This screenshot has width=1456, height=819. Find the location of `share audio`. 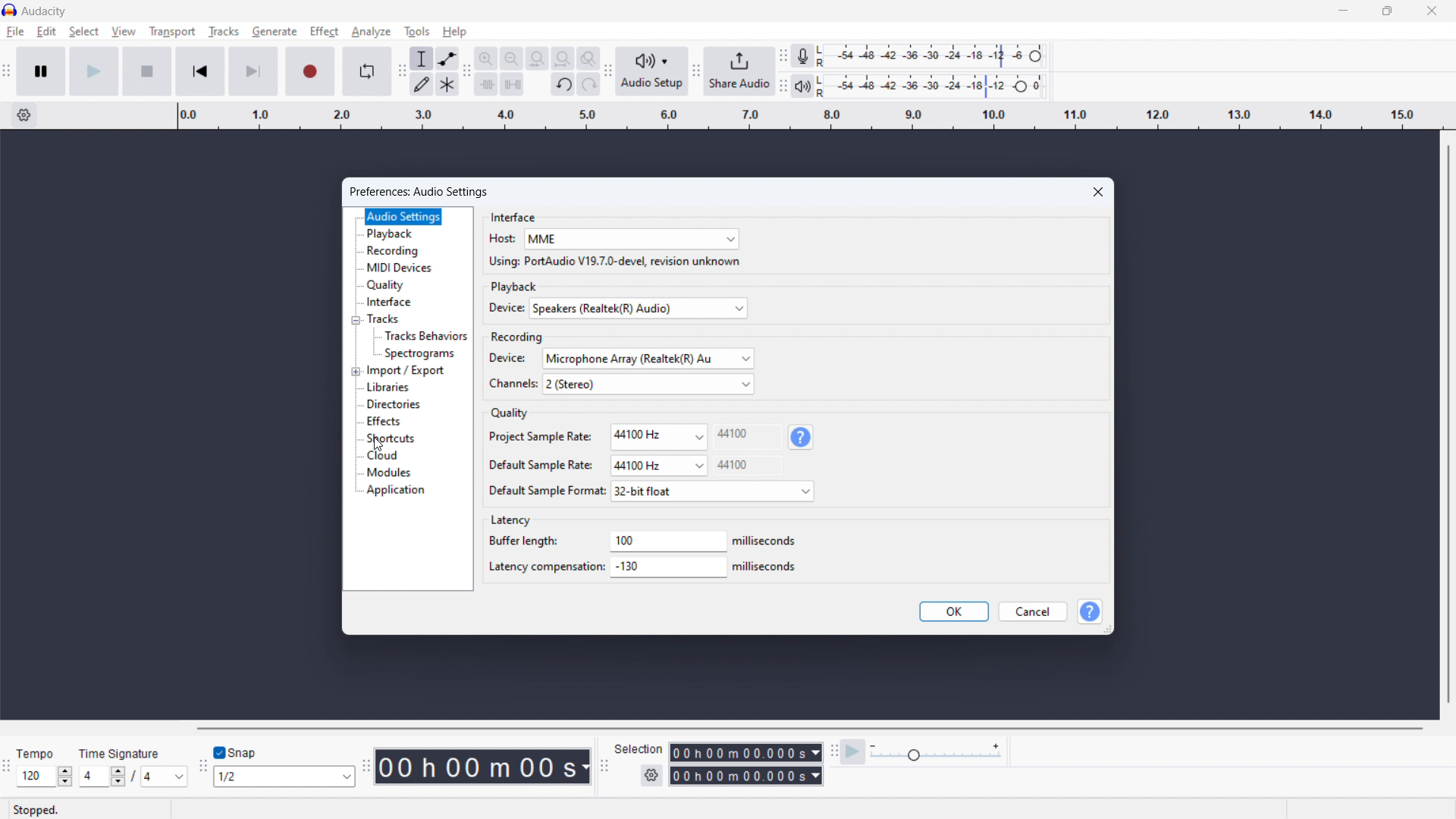

share audio is located at coordinates (740, 71).